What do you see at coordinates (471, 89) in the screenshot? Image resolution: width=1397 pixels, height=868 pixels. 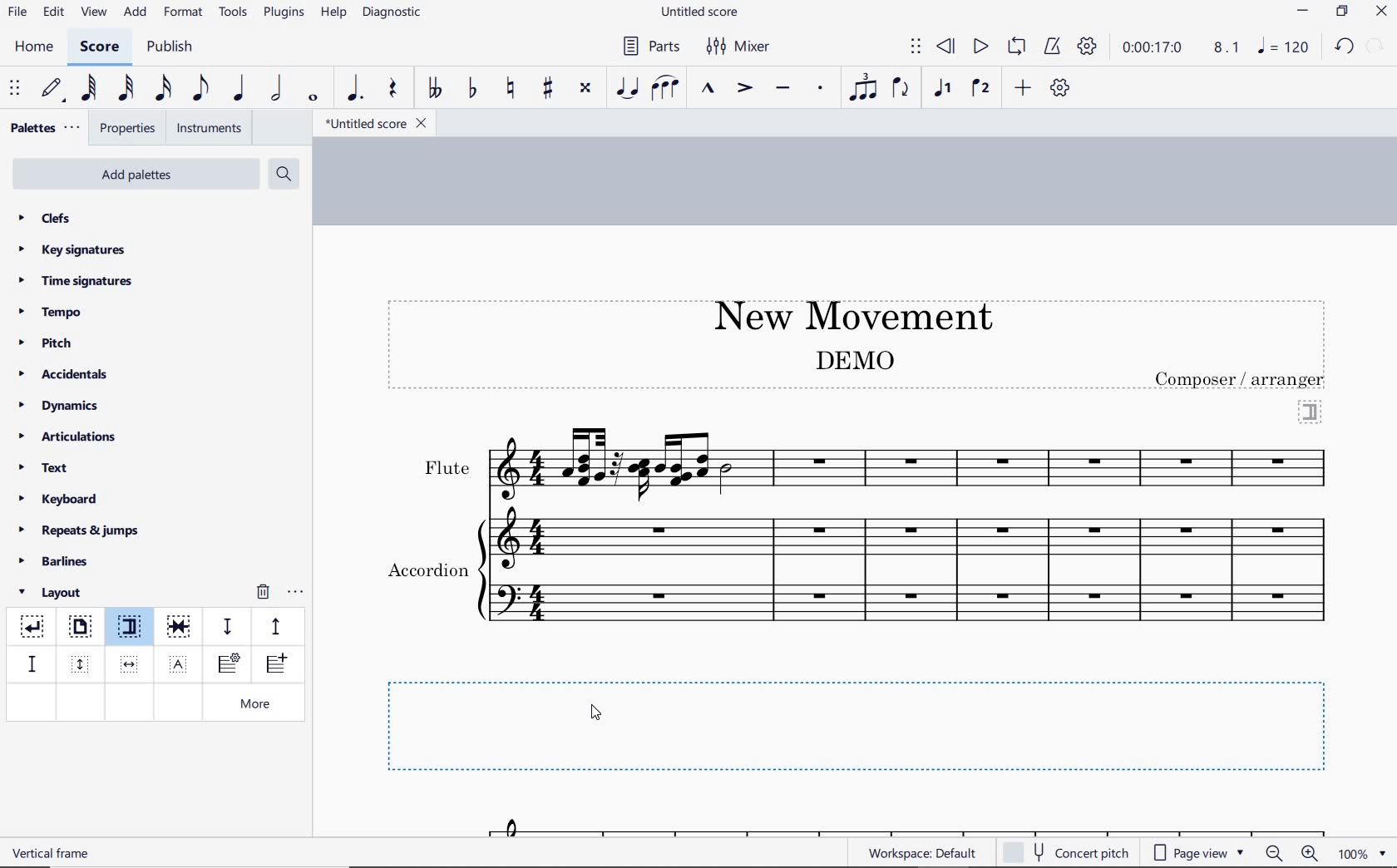 I see `toggle flat` at bounding box center [471, 89].